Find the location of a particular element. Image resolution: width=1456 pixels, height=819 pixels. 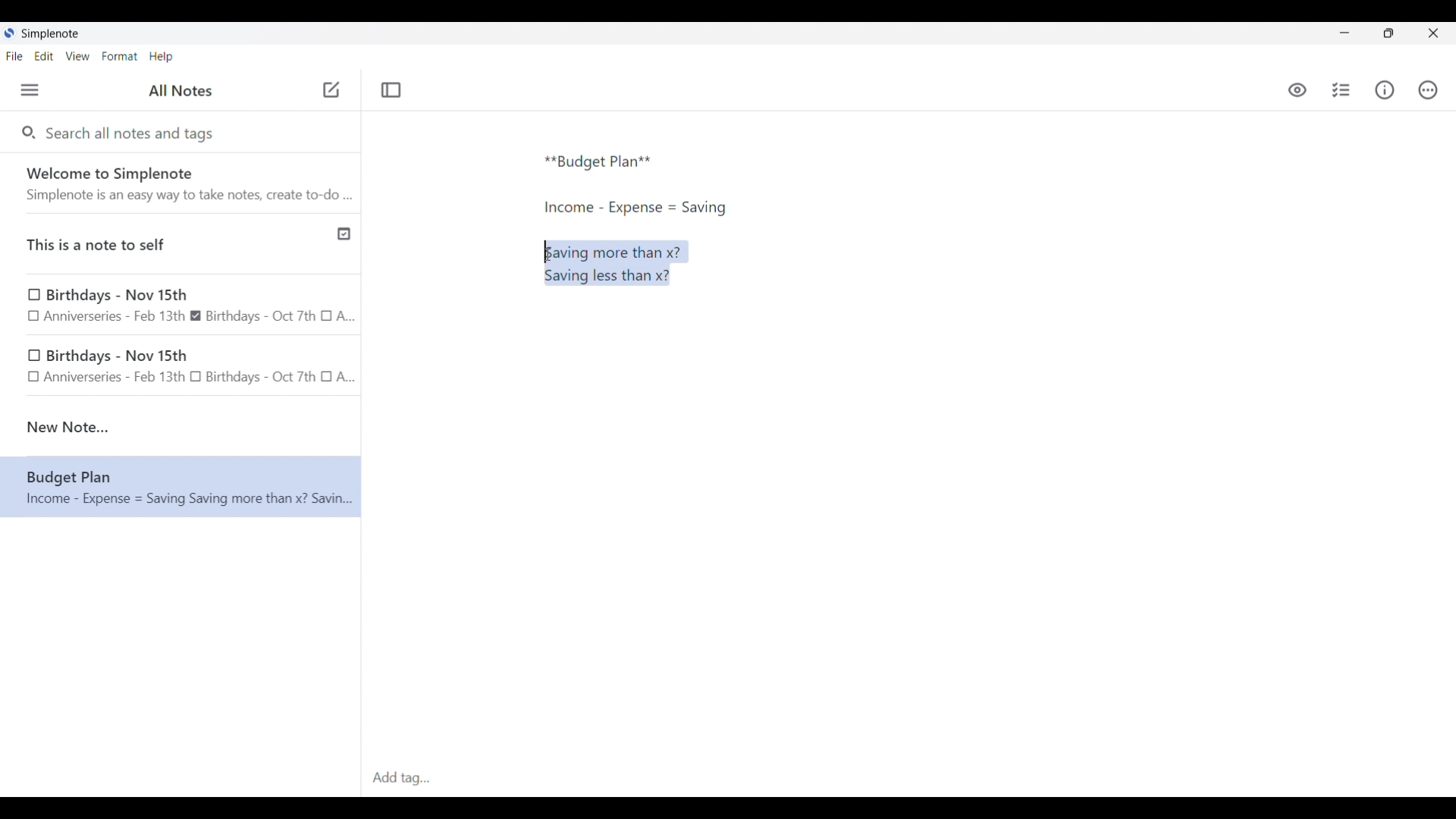

Note text changed is located at coordinates (180, 487).